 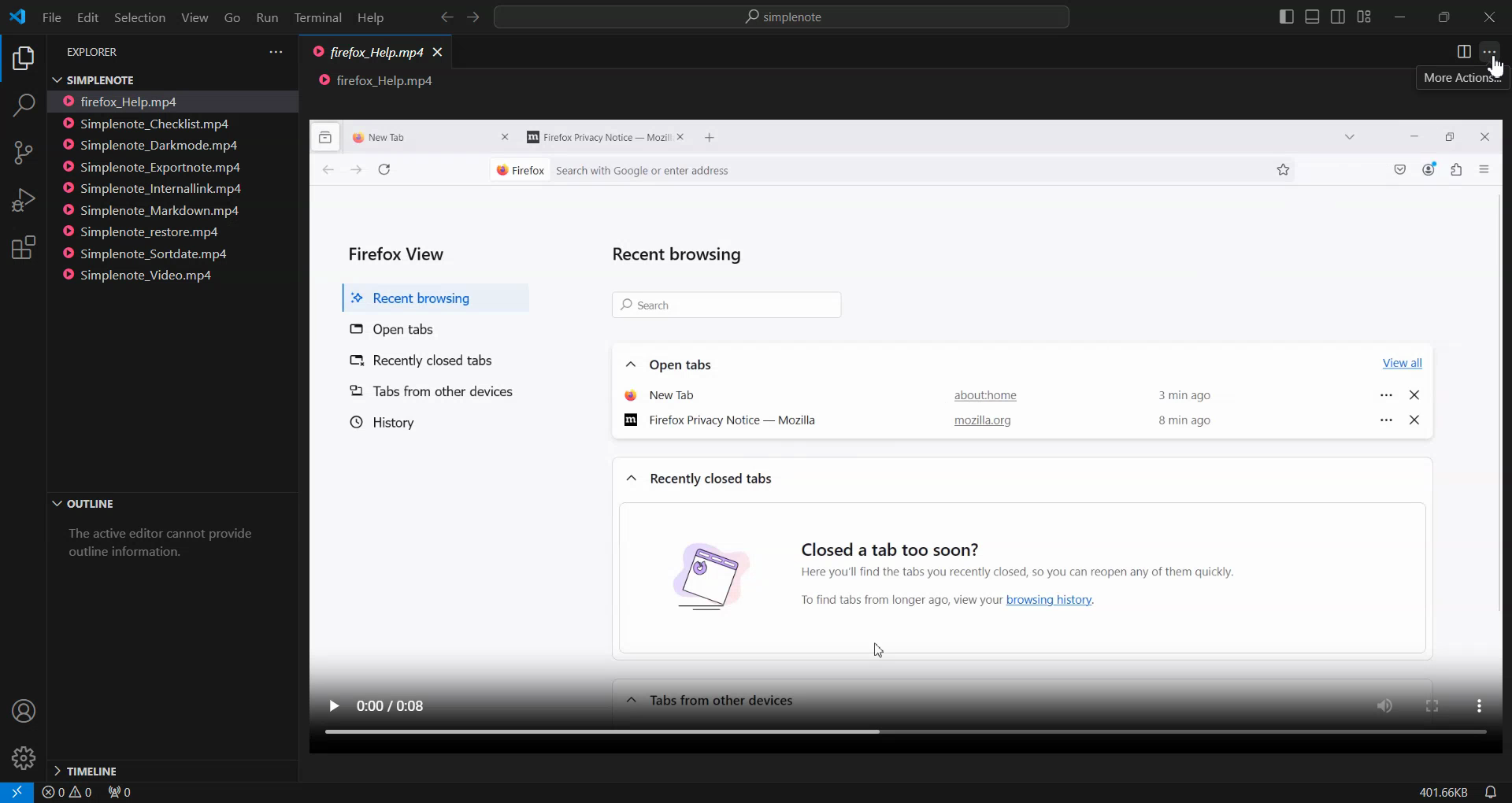 What do you see at coordinates (1487, 169) in the screenshot?
I see `open application menu` at bounding box center [1487, 169].